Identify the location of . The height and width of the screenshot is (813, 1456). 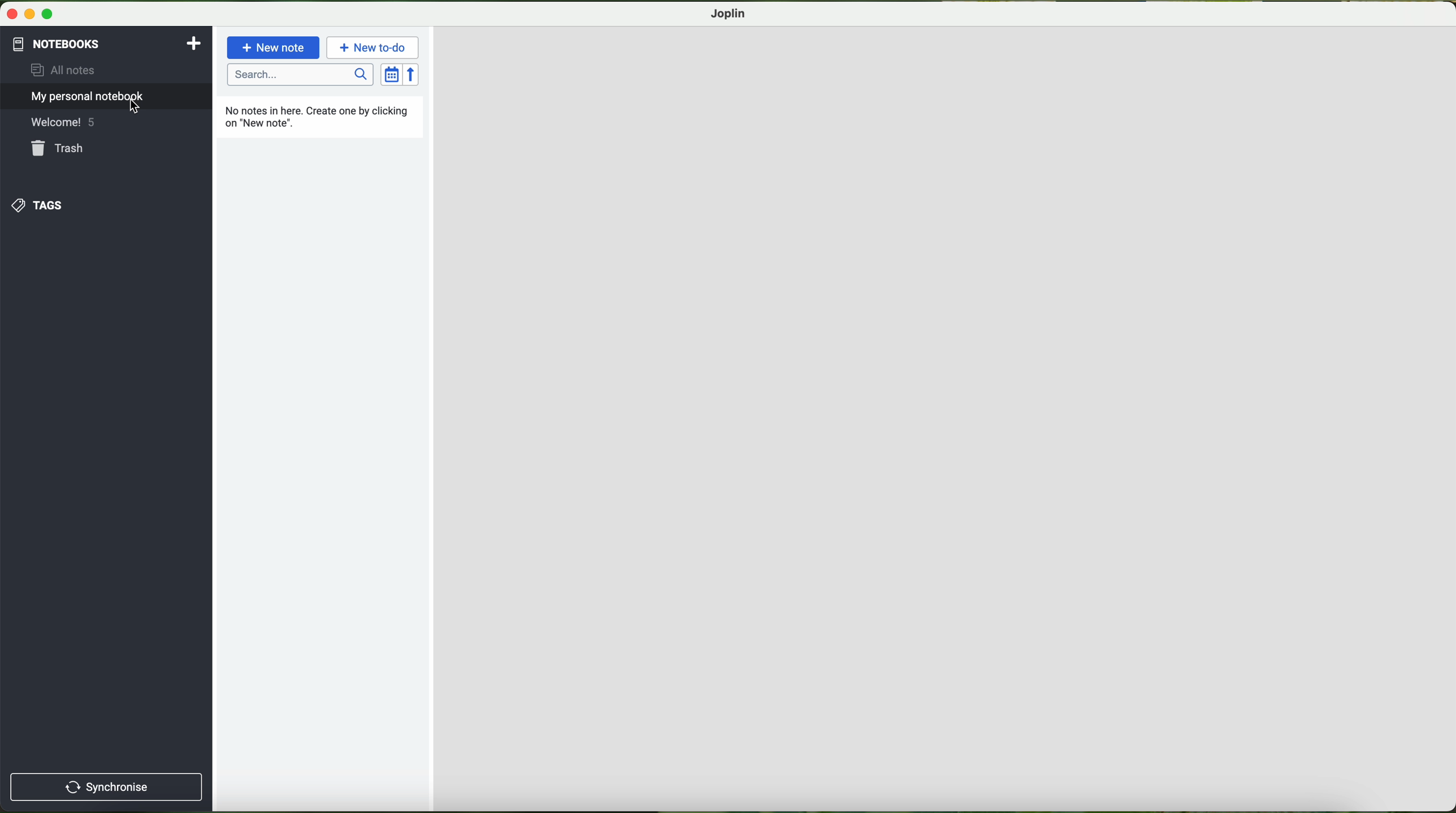
(391, 75).